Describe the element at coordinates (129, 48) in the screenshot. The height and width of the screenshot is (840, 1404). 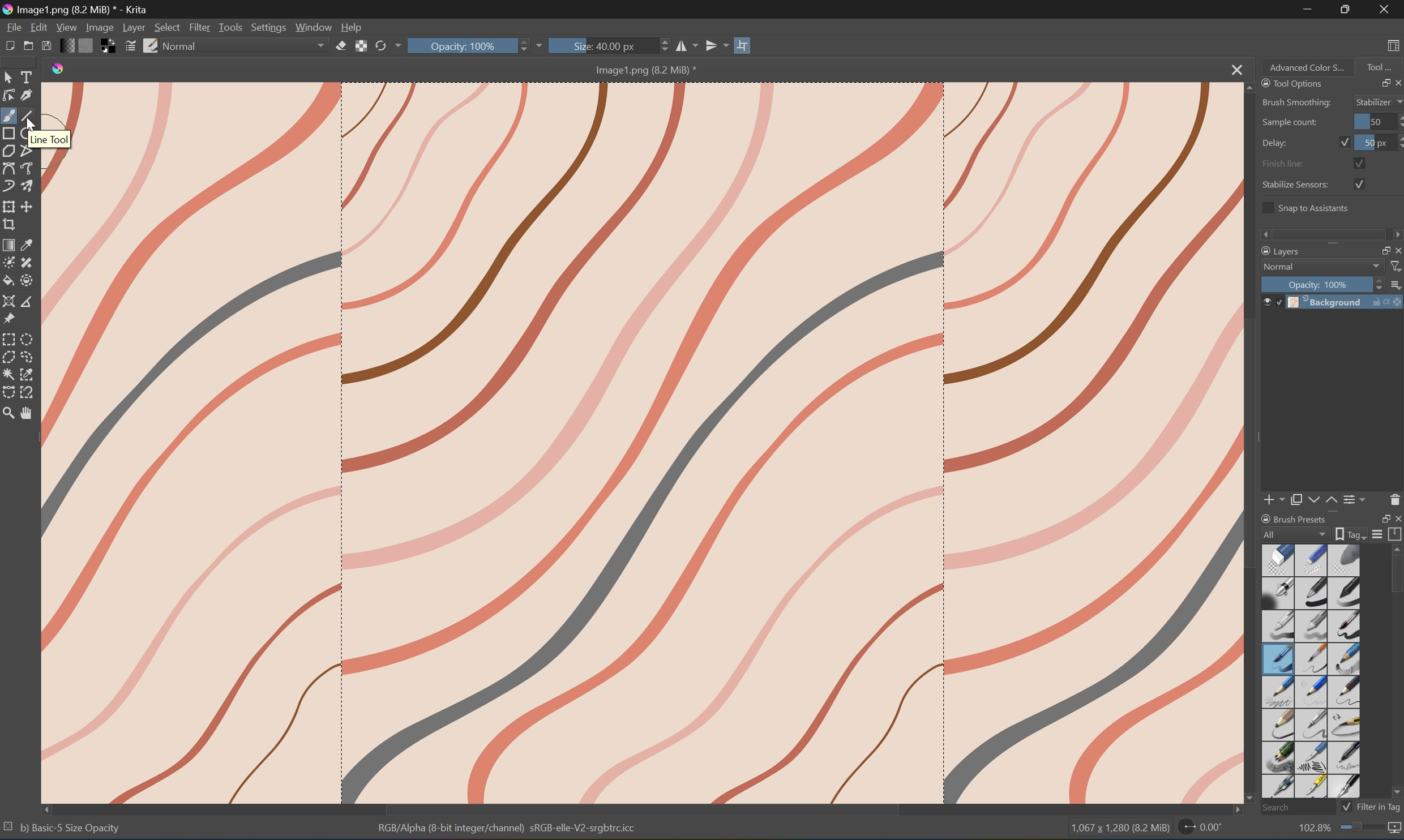
I see `Edit brush settings` at that location.